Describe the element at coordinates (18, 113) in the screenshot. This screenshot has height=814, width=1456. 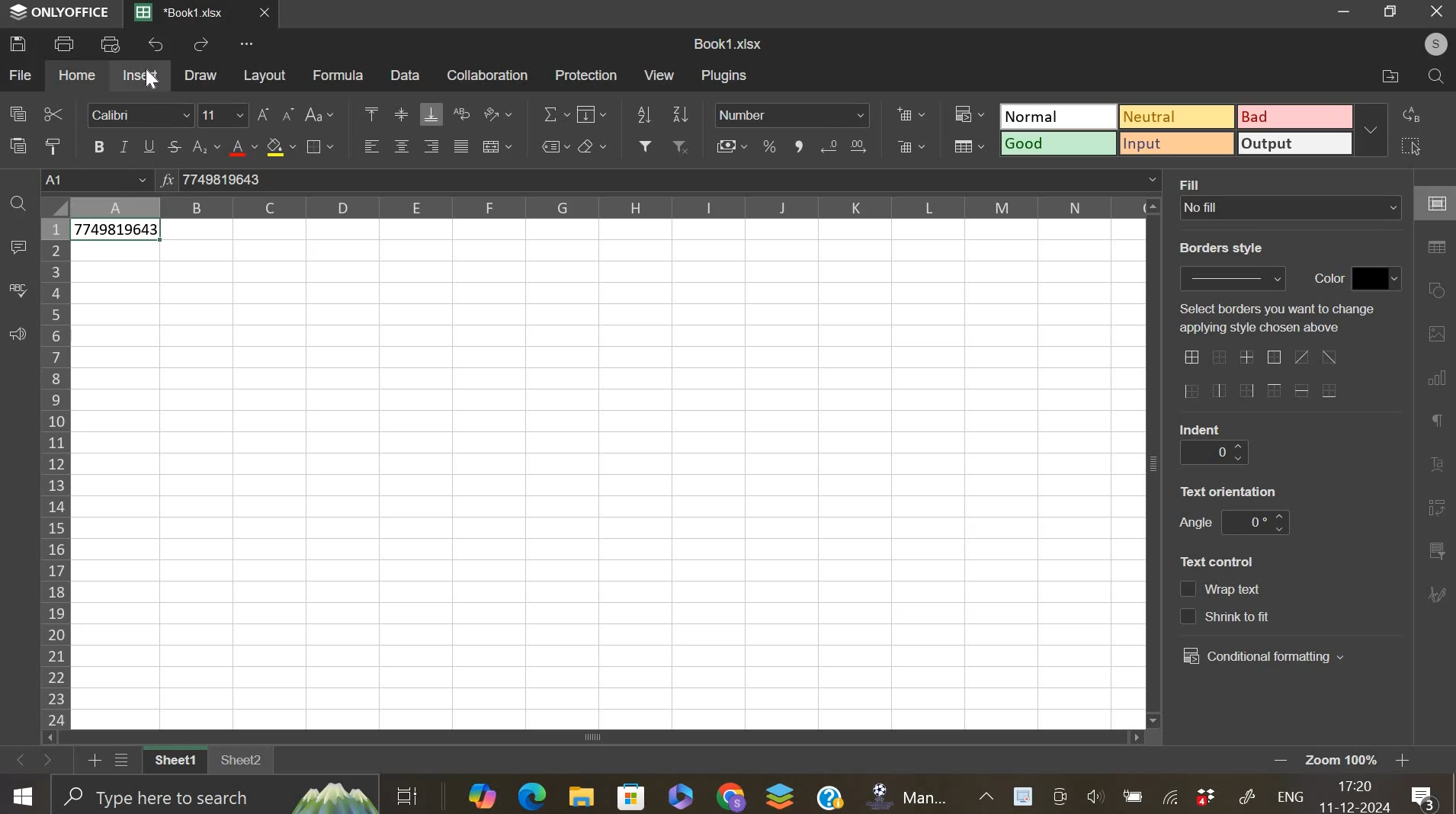
I see `copy` at that location.